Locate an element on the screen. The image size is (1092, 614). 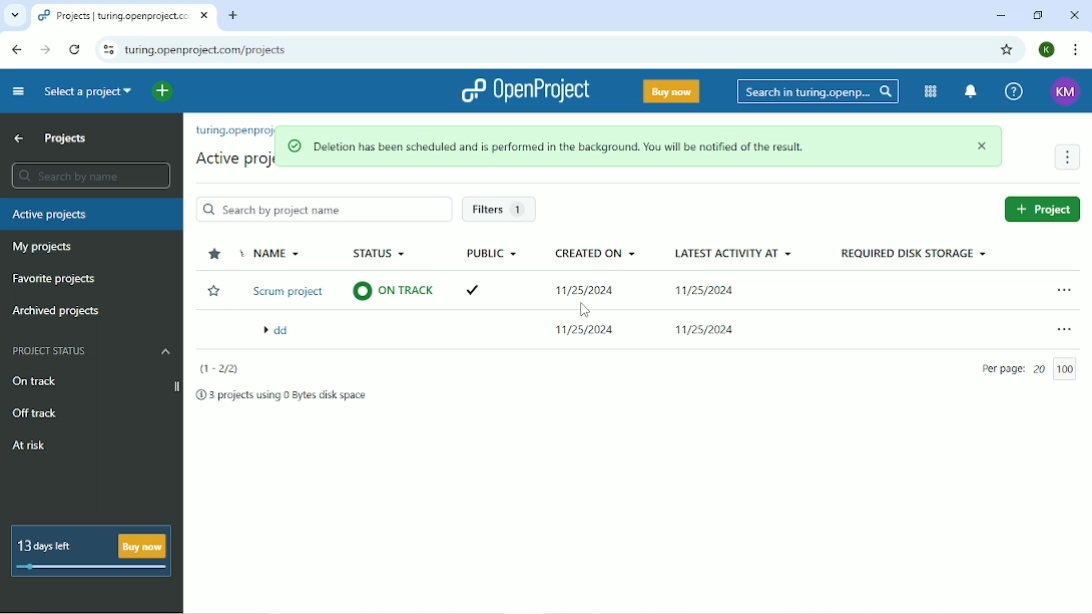
Name is located at coordinates (273, 254).